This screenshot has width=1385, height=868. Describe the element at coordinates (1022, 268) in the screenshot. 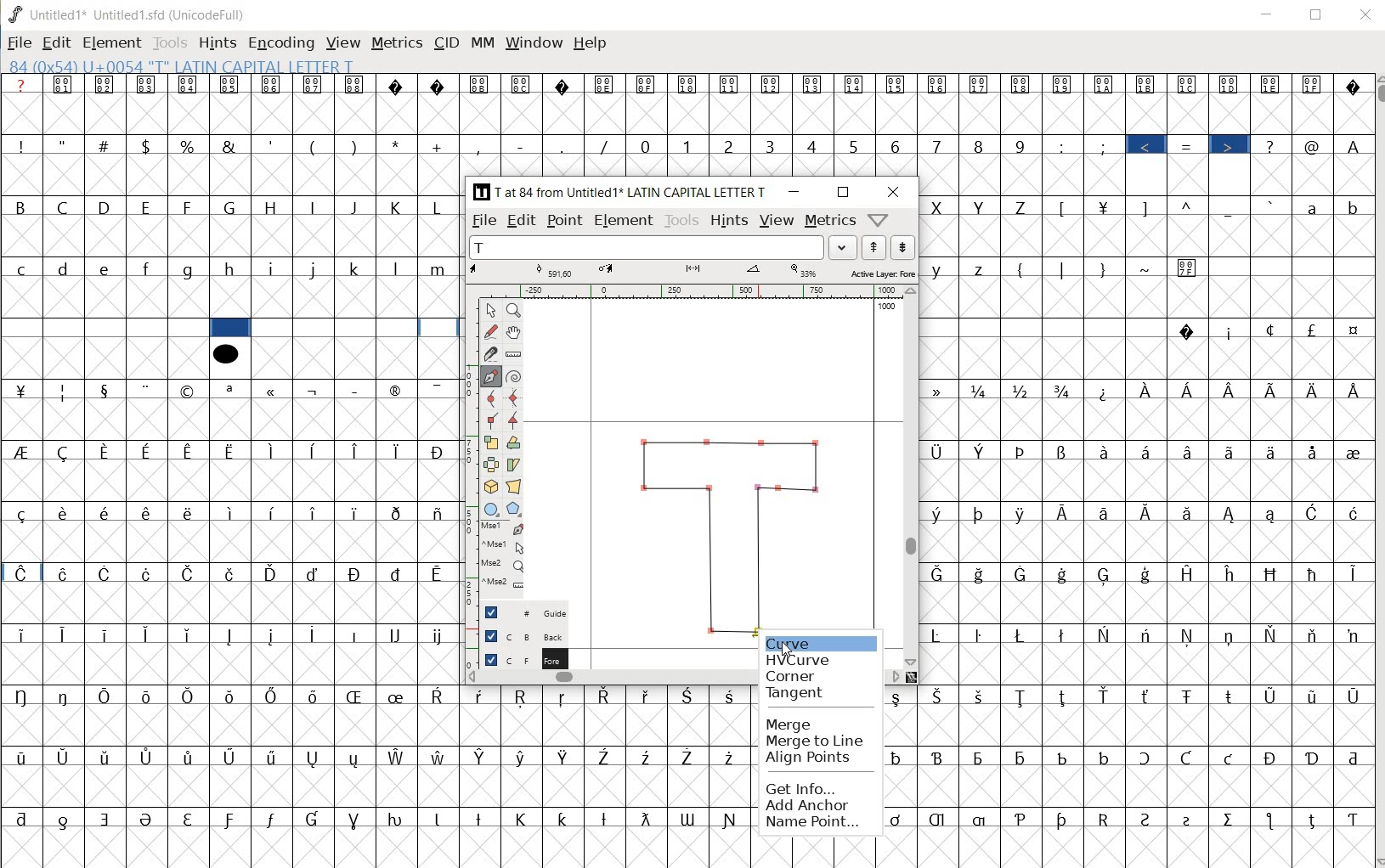

I see `(` at that location.